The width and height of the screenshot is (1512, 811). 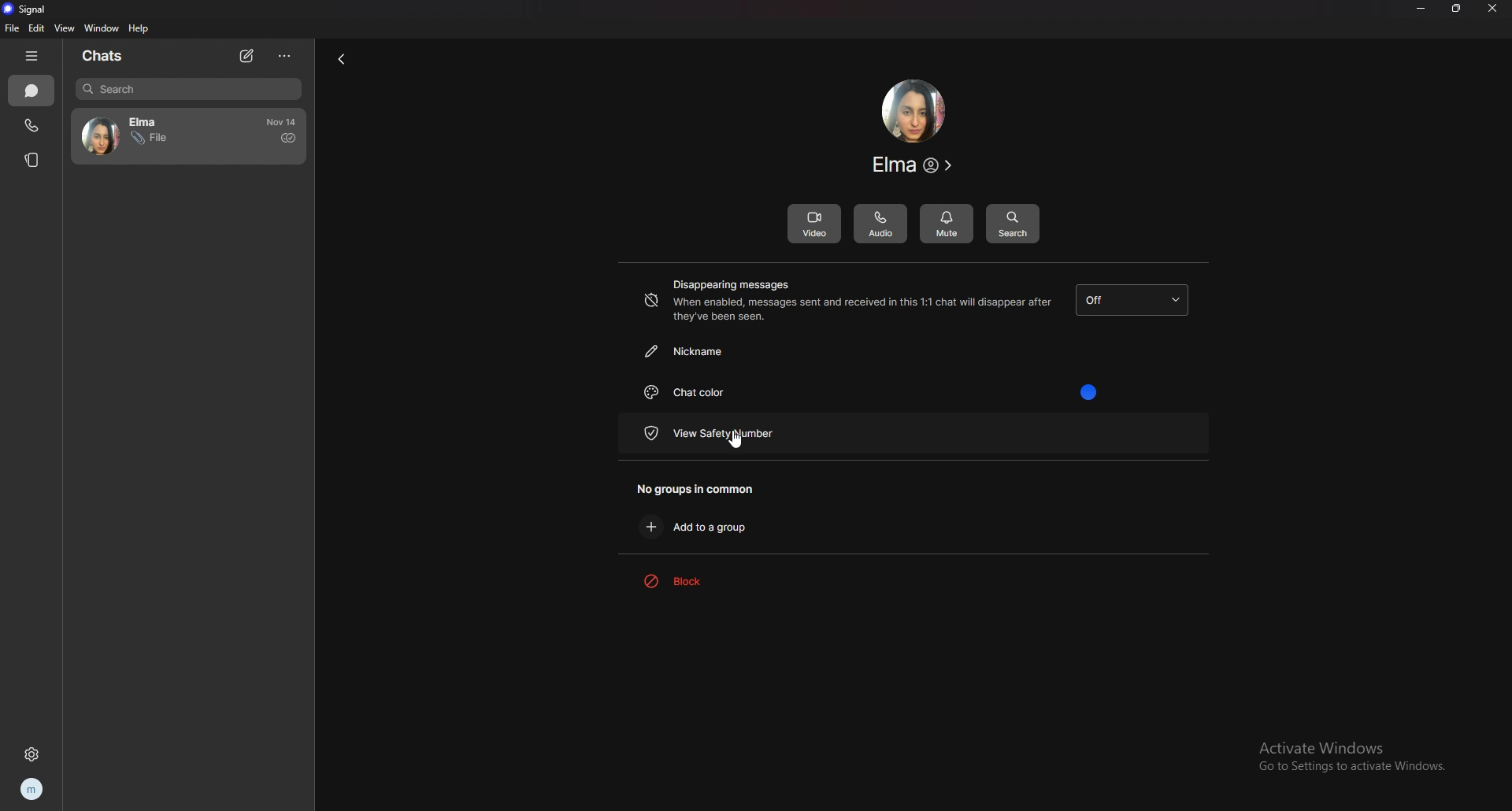 I want to click on chats, so click(x=109, y=56).